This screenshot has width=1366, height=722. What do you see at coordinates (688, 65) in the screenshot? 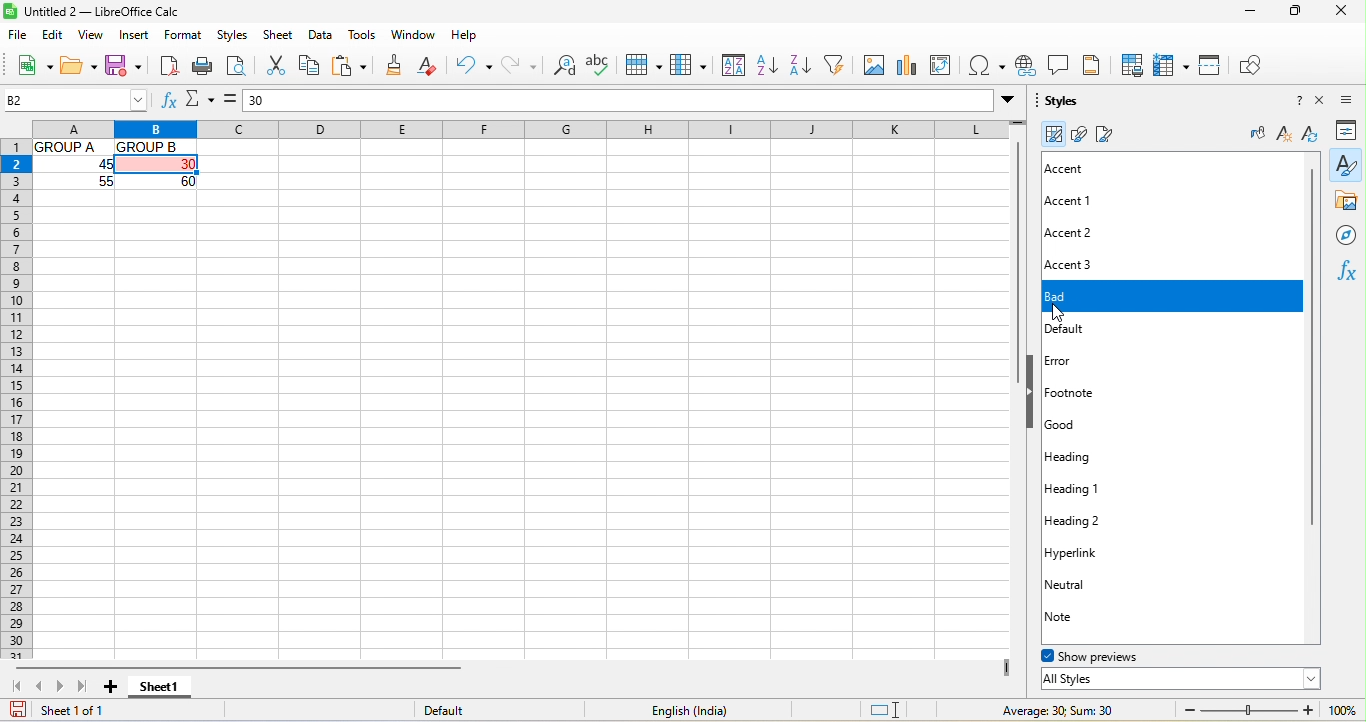
I see `column` at bounding box center [688, 65].